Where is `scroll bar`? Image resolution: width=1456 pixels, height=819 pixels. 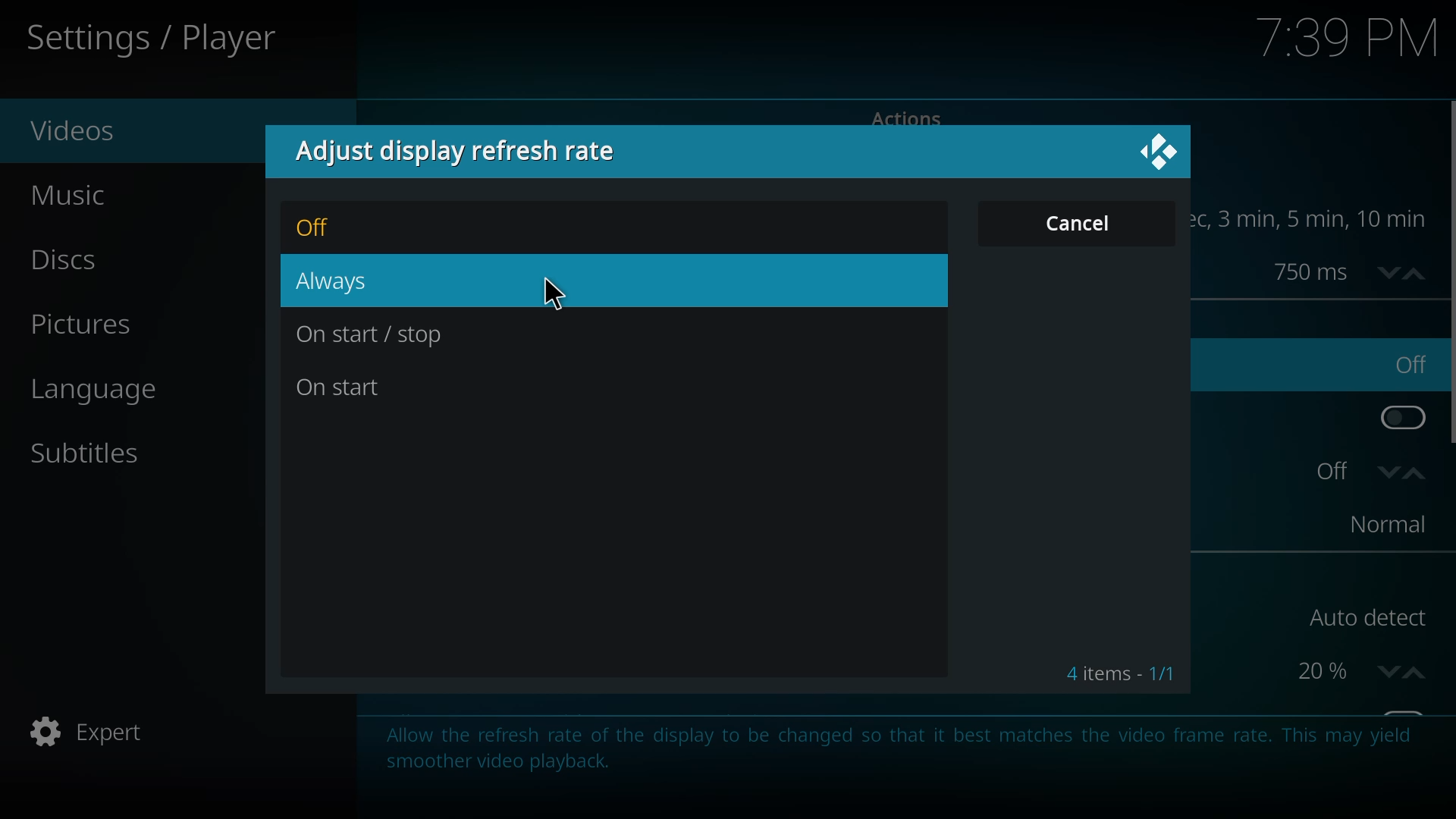 scroll bar is located at coordinates (1454, 273).